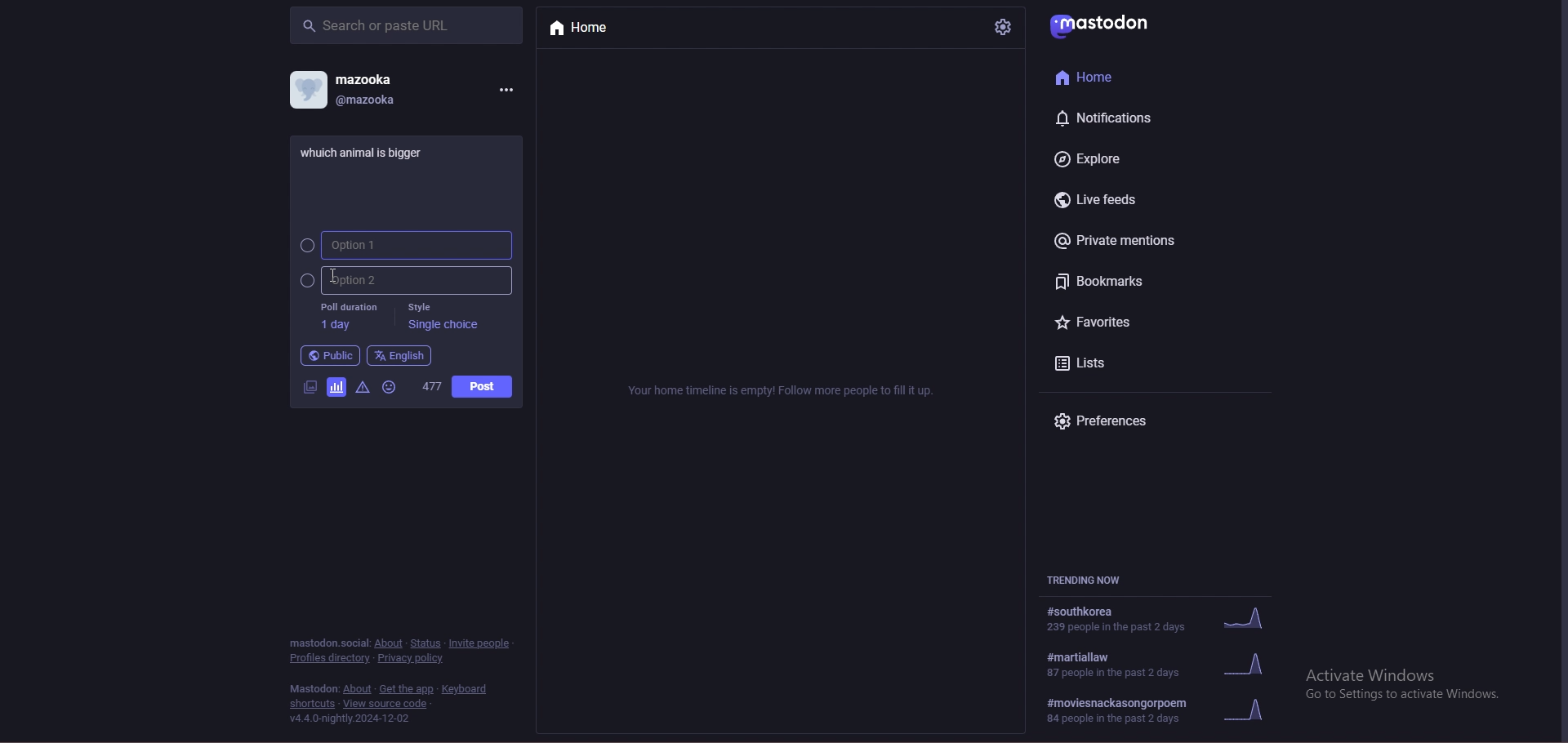 Image resolution: width=1568 pixels, height=743 pixels. I want to click on option 1, so click(405, 245).